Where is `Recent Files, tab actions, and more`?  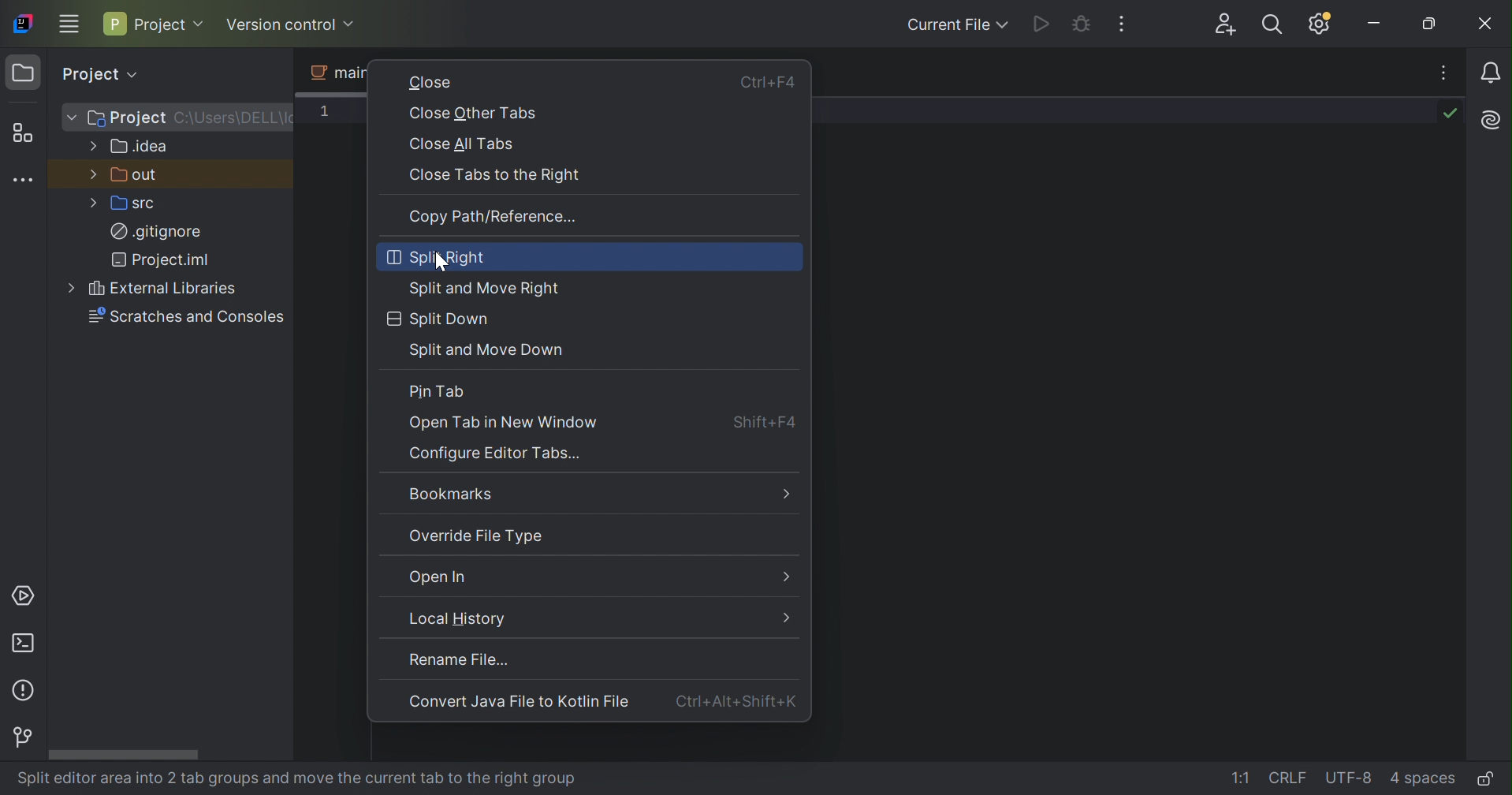 Recent Files, tab actions, and more is located at coordinates (1445, 74).